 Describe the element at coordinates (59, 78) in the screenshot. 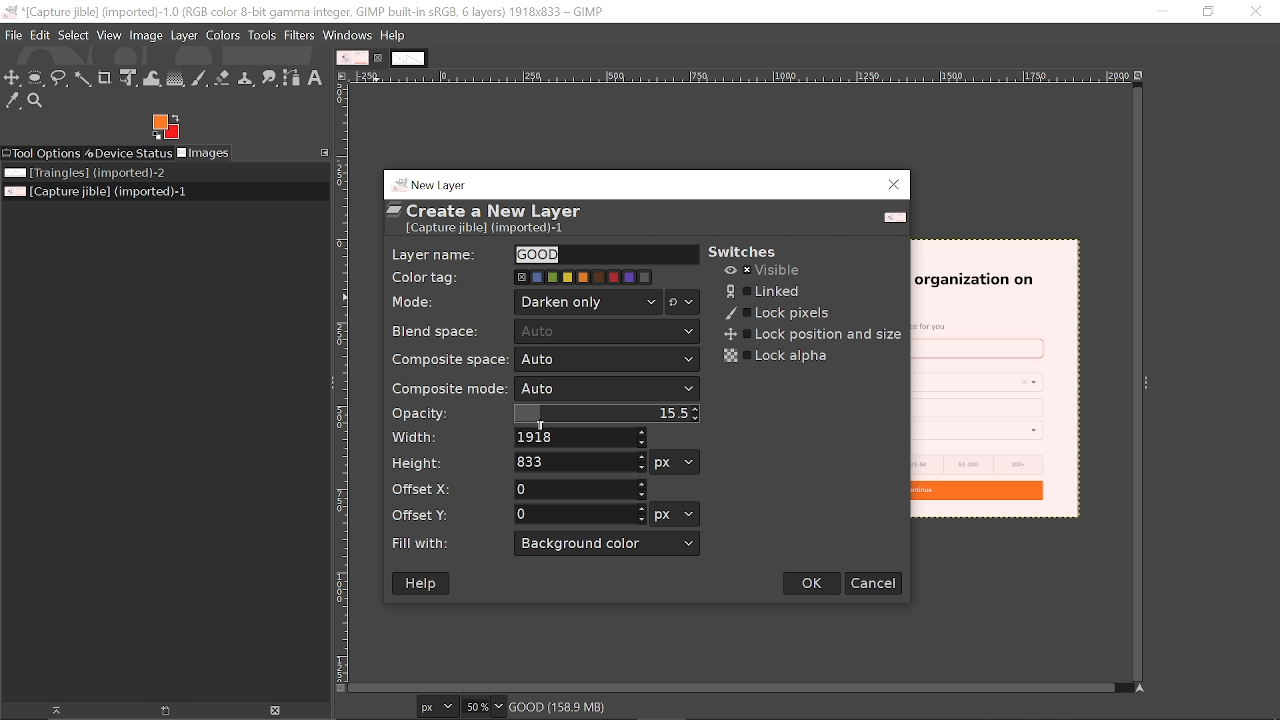

I see `Free select tool` at that location.